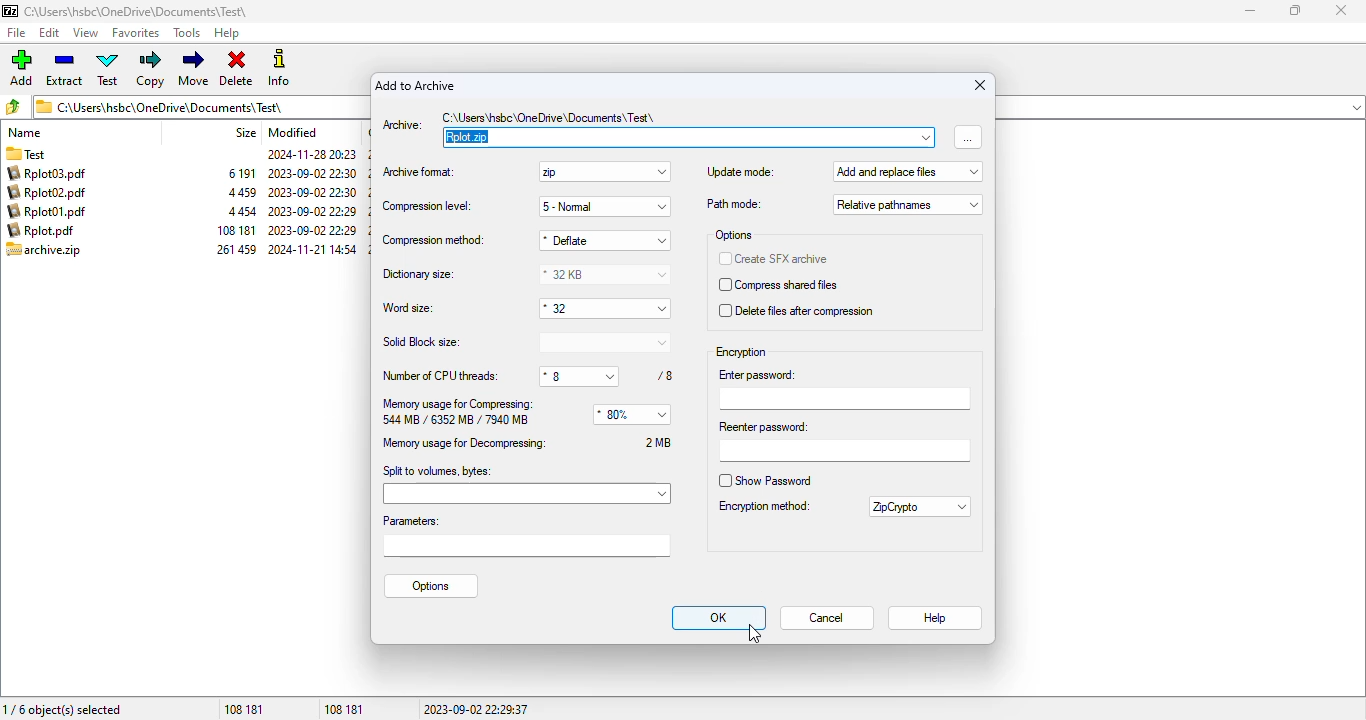 This screenshot has width=1366, height=720. I want to click on extract, so click(64, 68).